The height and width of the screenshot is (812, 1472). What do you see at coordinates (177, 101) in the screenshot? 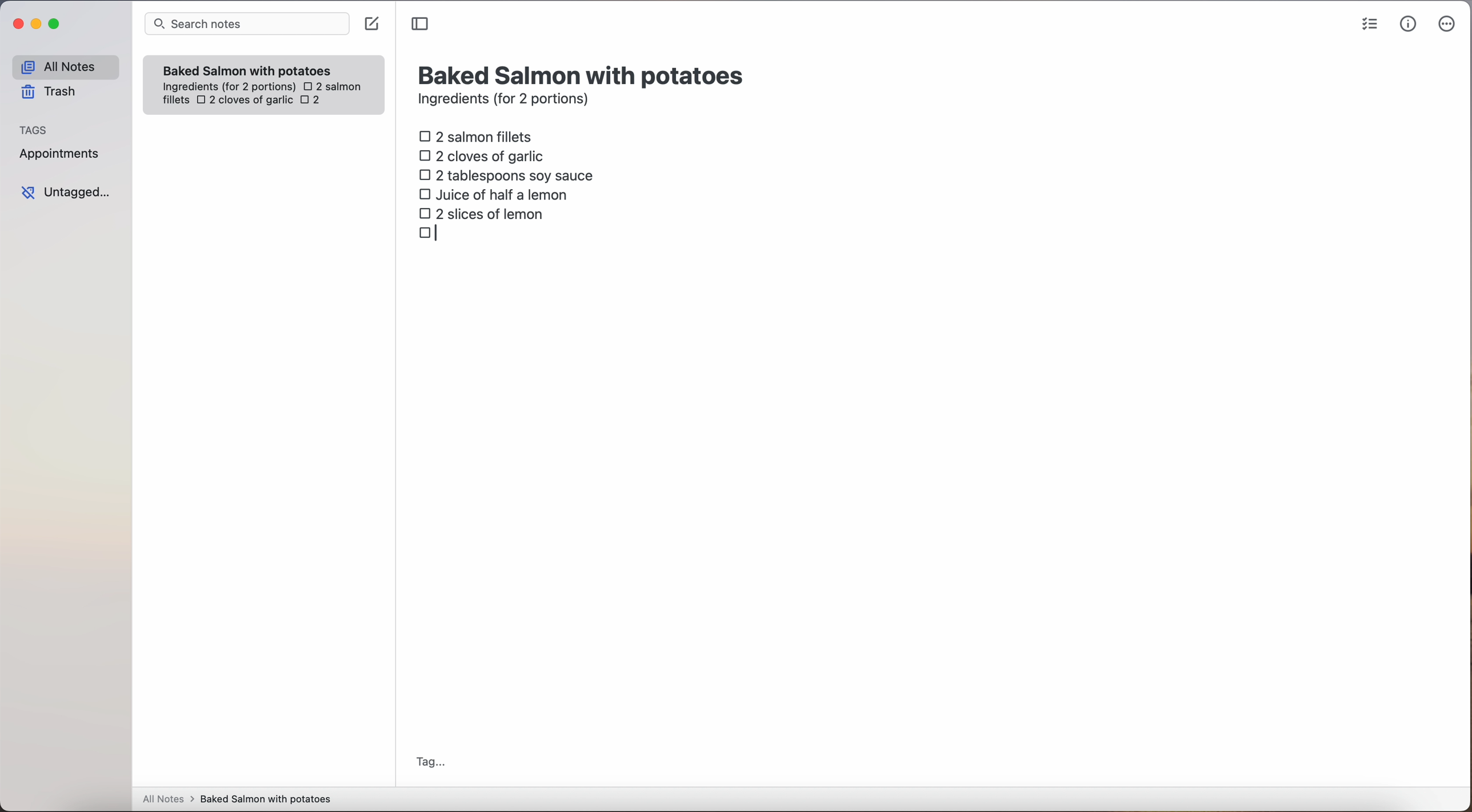
I see `fillets` at bounding box center [177, 101].